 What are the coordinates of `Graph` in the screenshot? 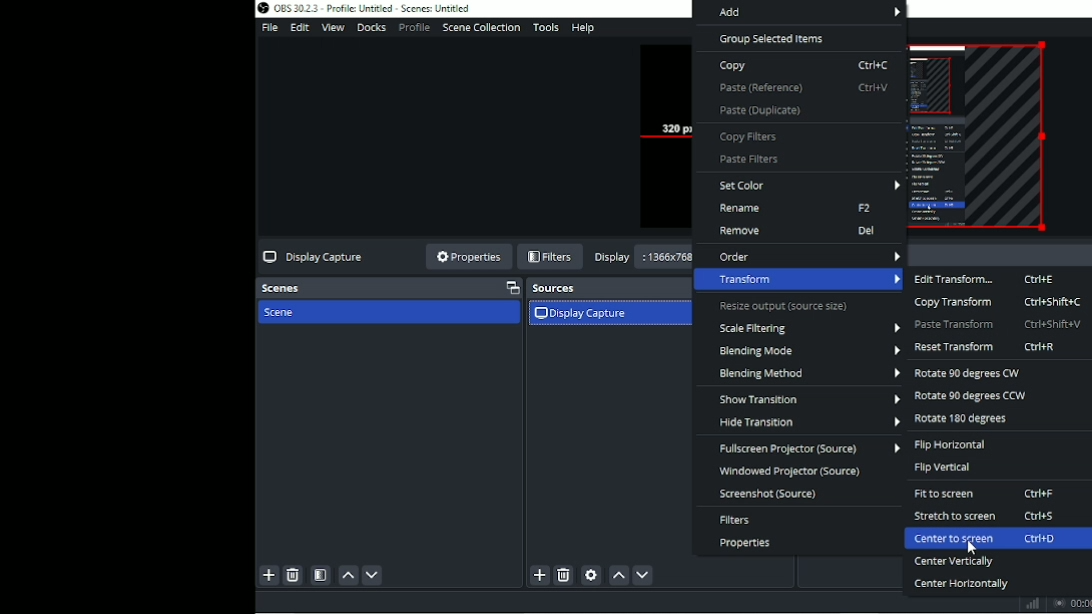 It's located at (1029, 602).